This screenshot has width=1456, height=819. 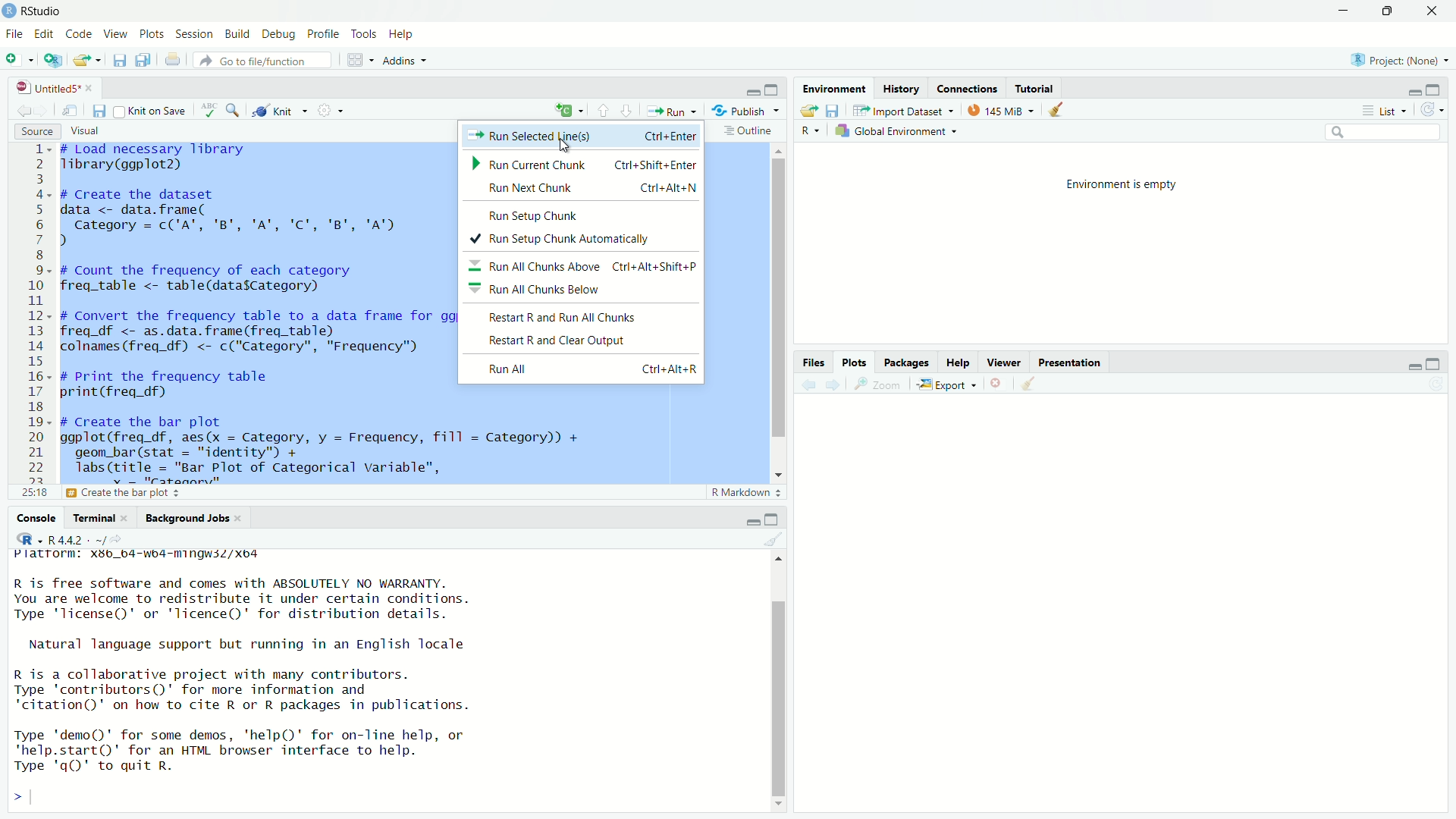 I want to click on minimize, so click(x=1413, y=368).